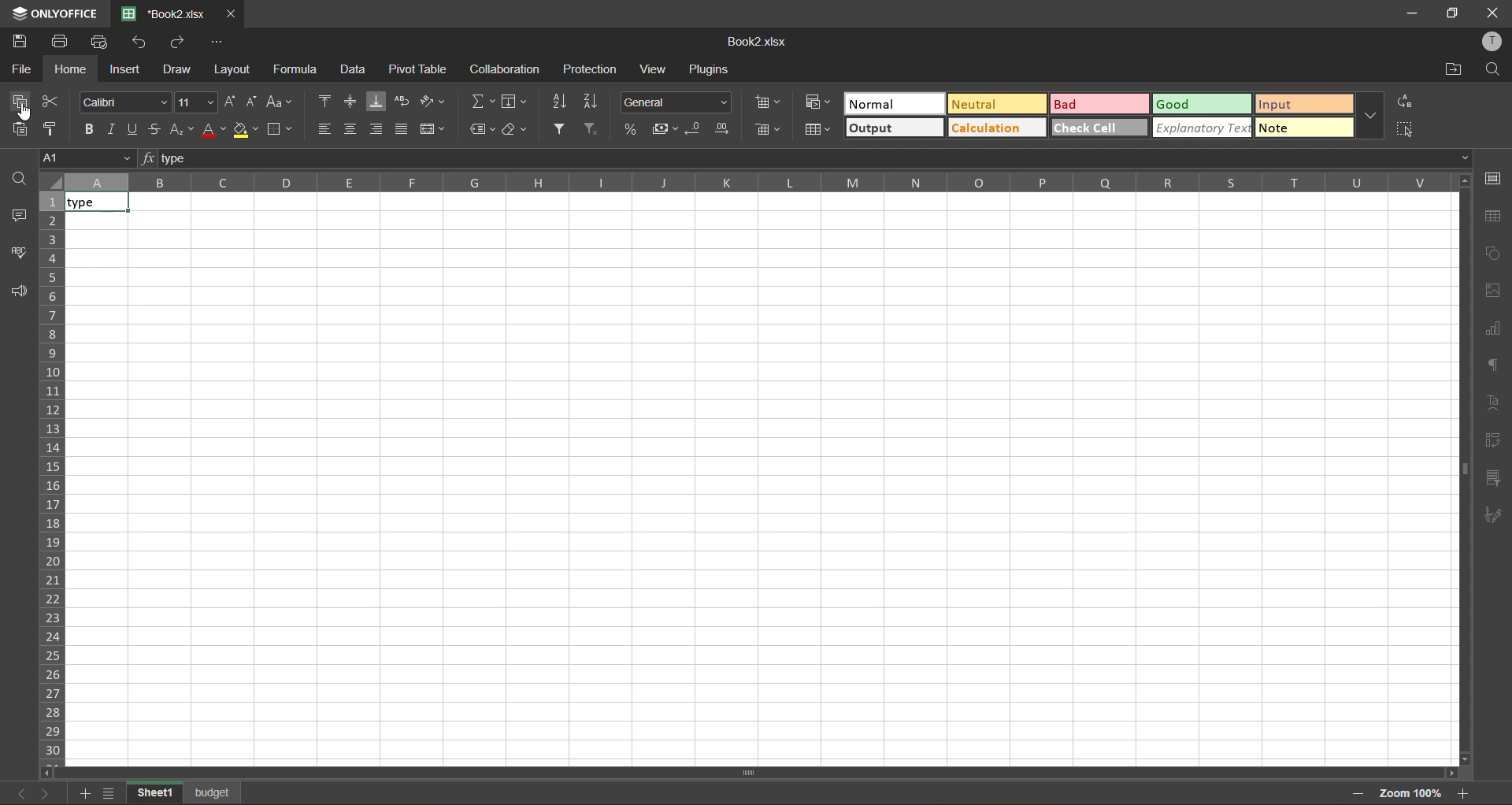  Describe the element at coordinates (1494, 327) in the screenshot. I see `charts` at that location.